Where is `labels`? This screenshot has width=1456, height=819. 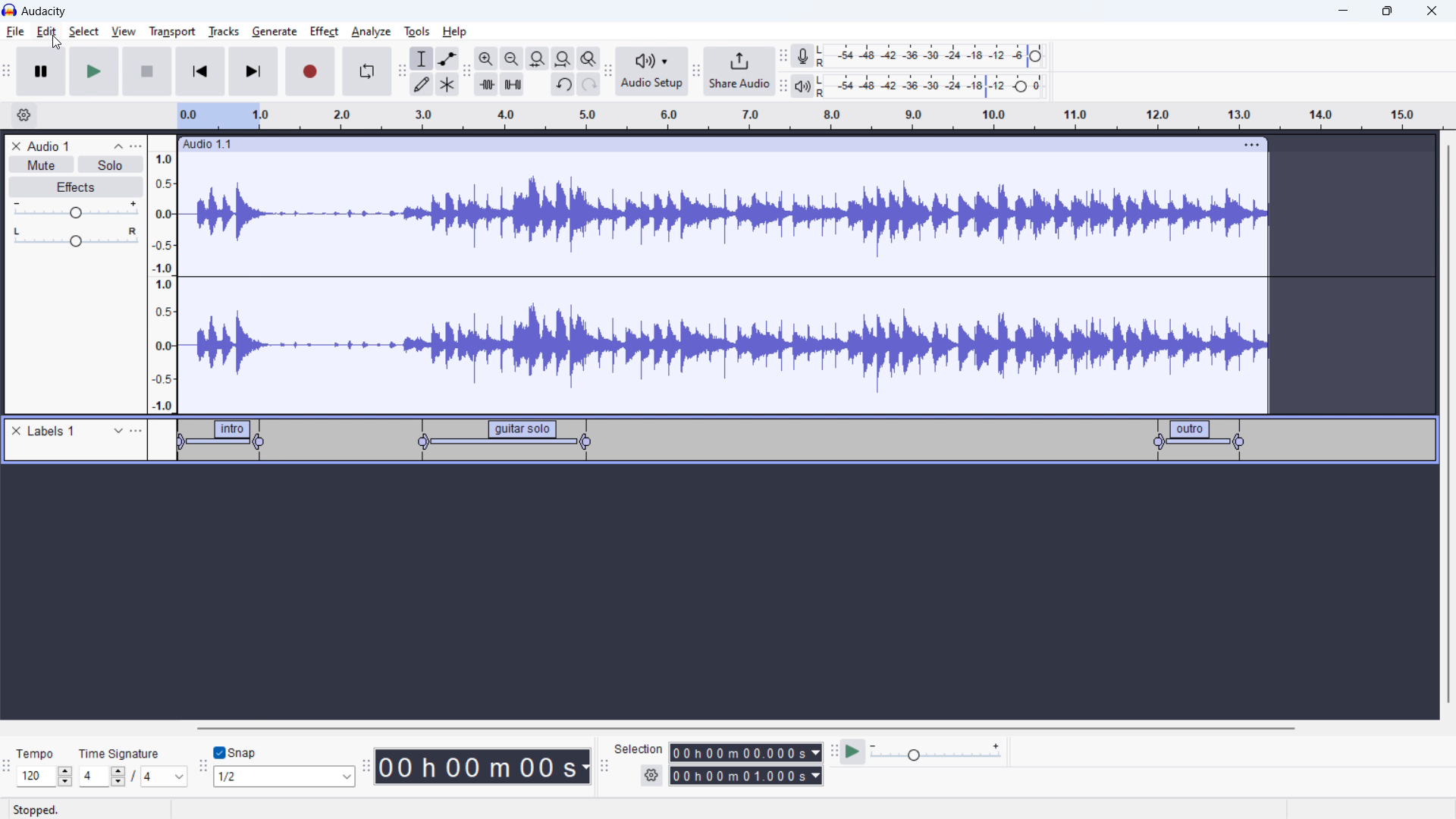
labels is located at coordinates (52, 431).